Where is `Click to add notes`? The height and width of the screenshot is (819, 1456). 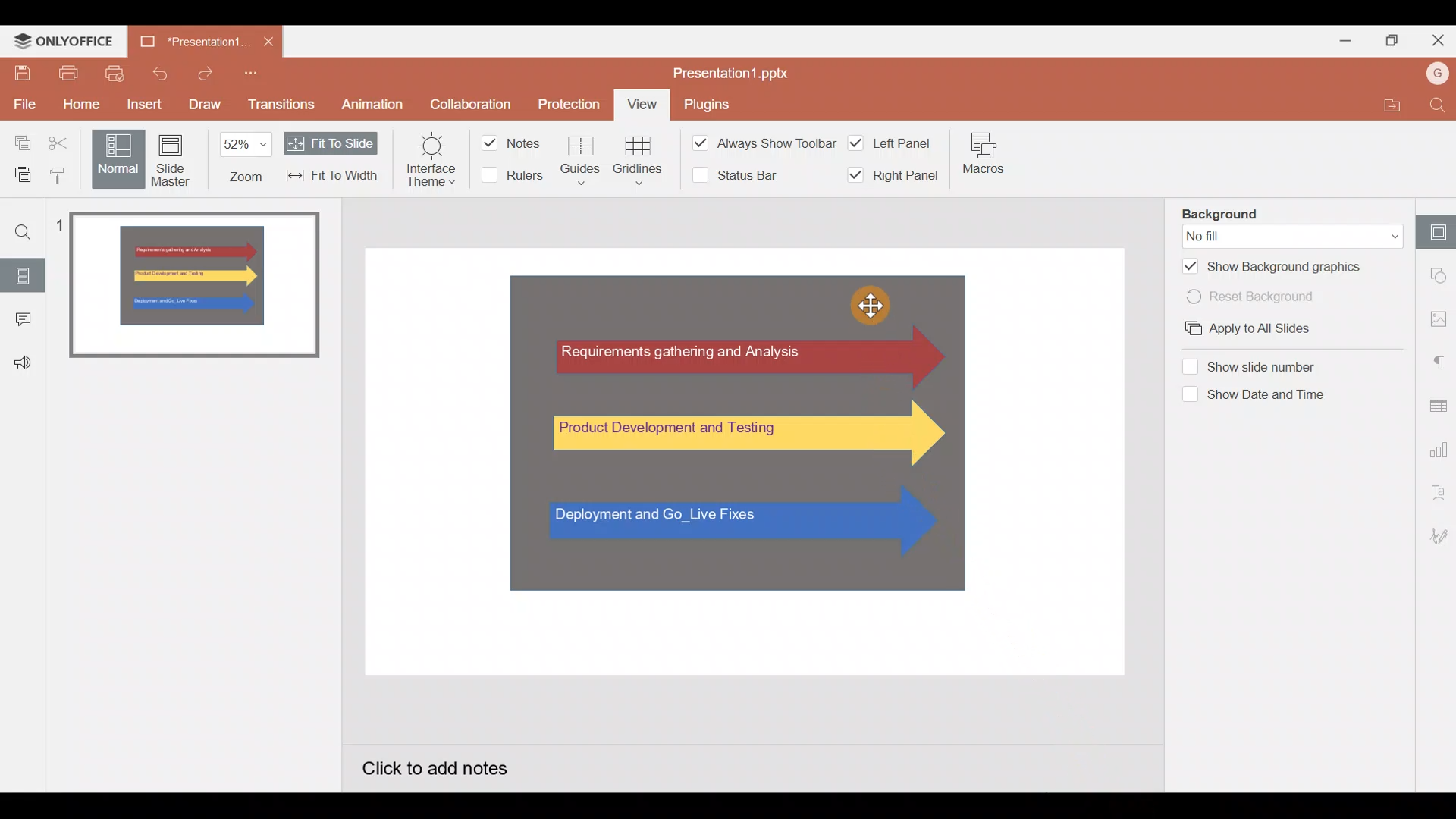
Click to add notes is located at coordinates (452, 766).